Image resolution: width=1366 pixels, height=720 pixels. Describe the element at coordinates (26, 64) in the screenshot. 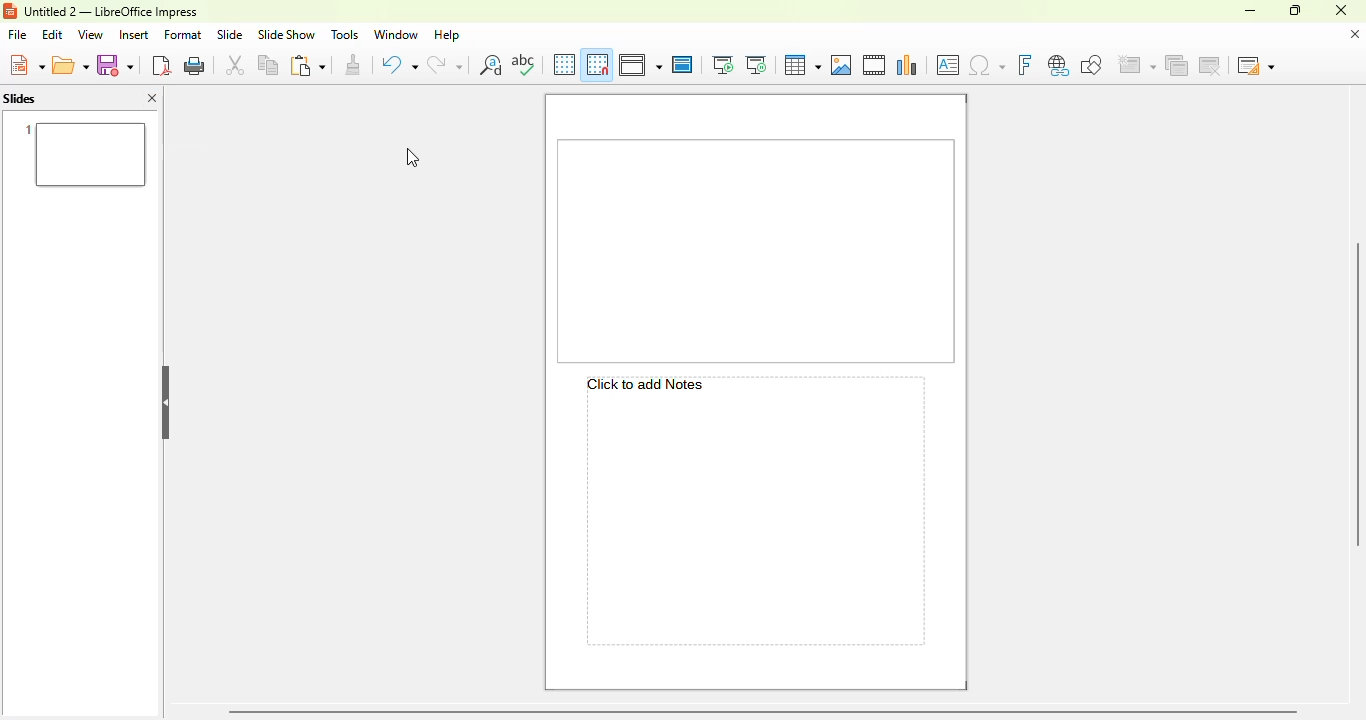

I see `new` at that location.